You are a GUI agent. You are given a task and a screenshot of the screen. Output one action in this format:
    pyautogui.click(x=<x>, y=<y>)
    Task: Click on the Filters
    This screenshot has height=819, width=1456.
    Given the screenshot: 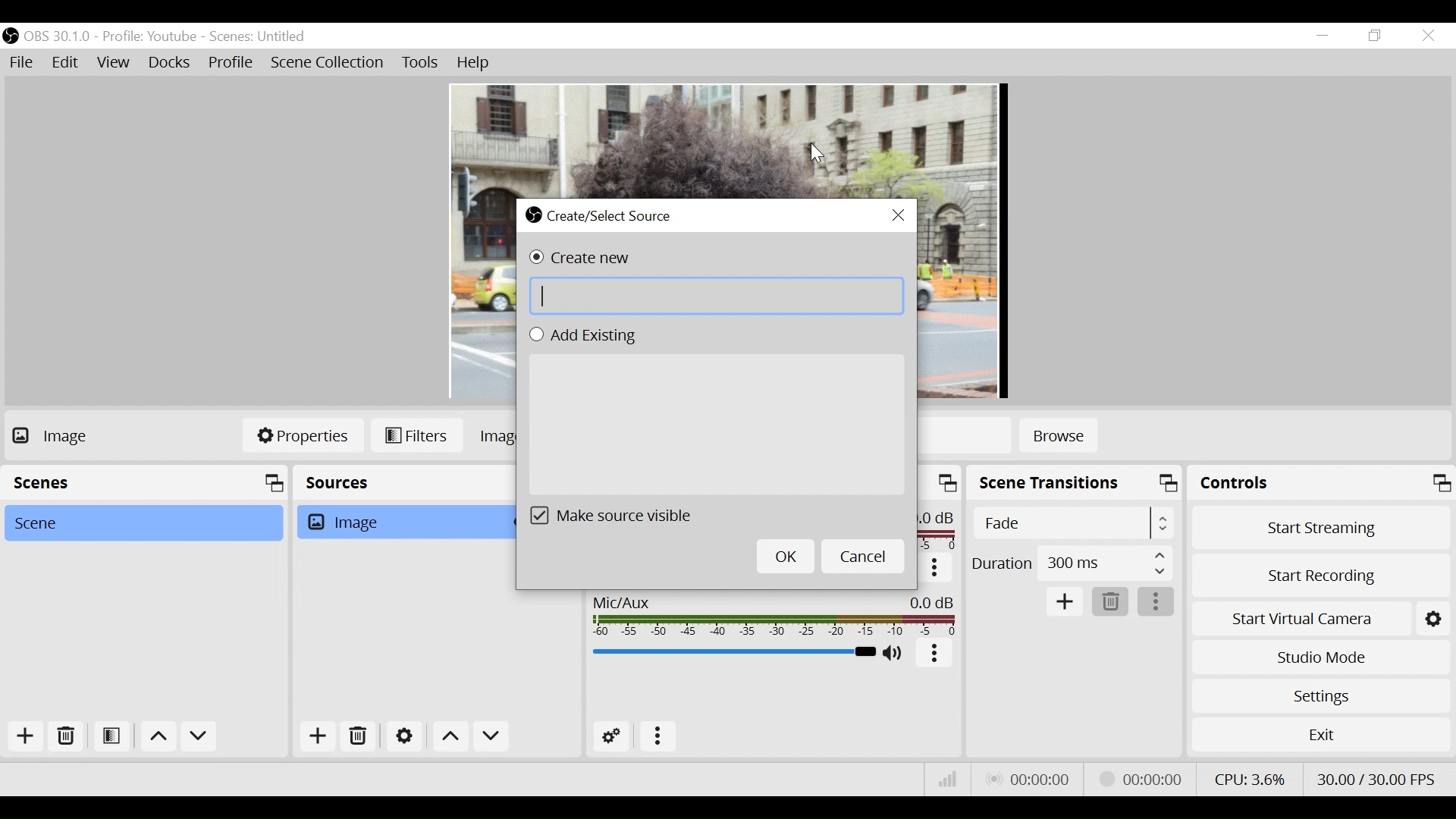 What is the action you would take?
    pyautogui.click(x=417, y=435)
    